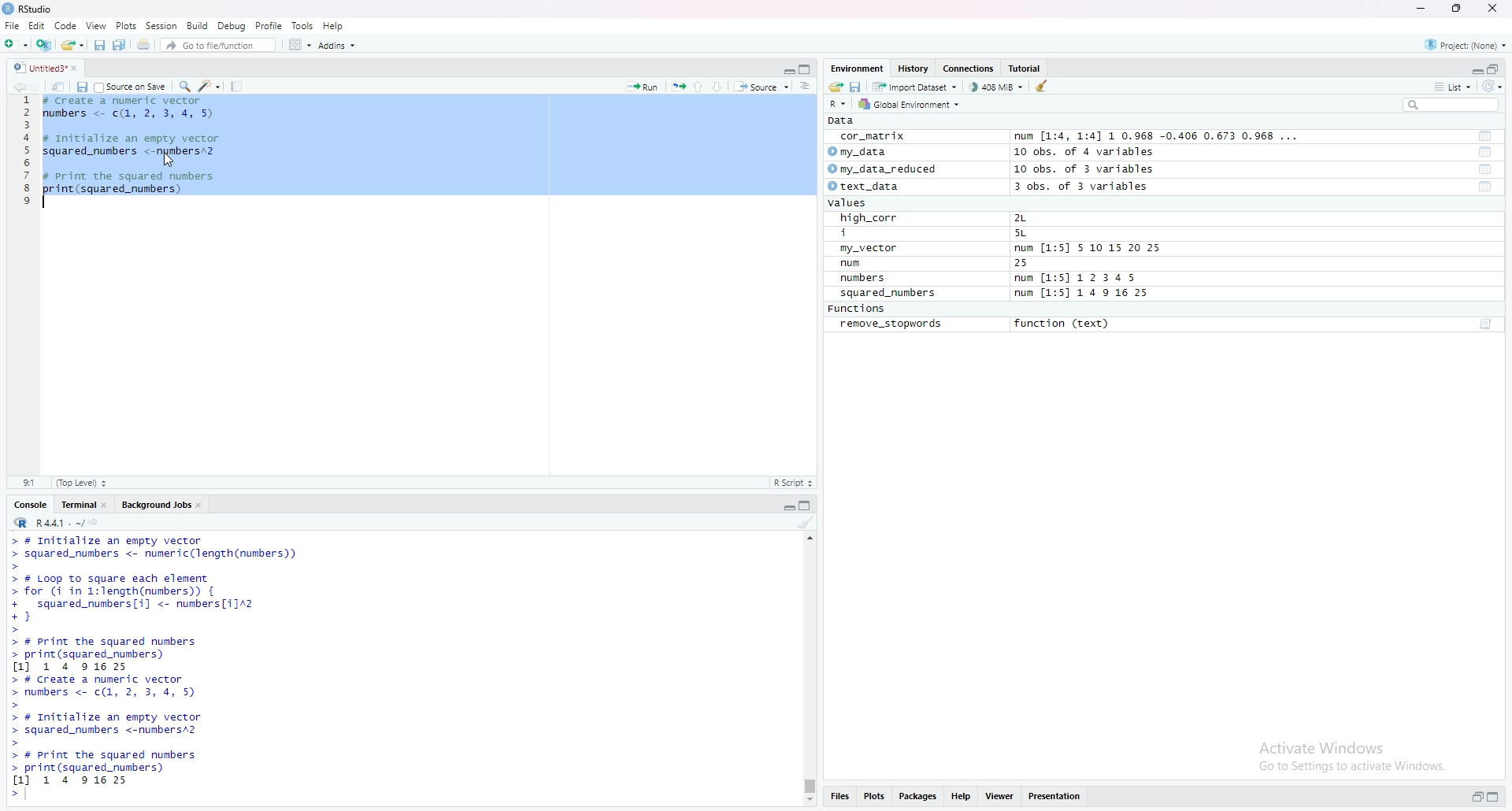  Describe the element at coordinates (232, 25) in the screenshot. I see `Debug` at that location.